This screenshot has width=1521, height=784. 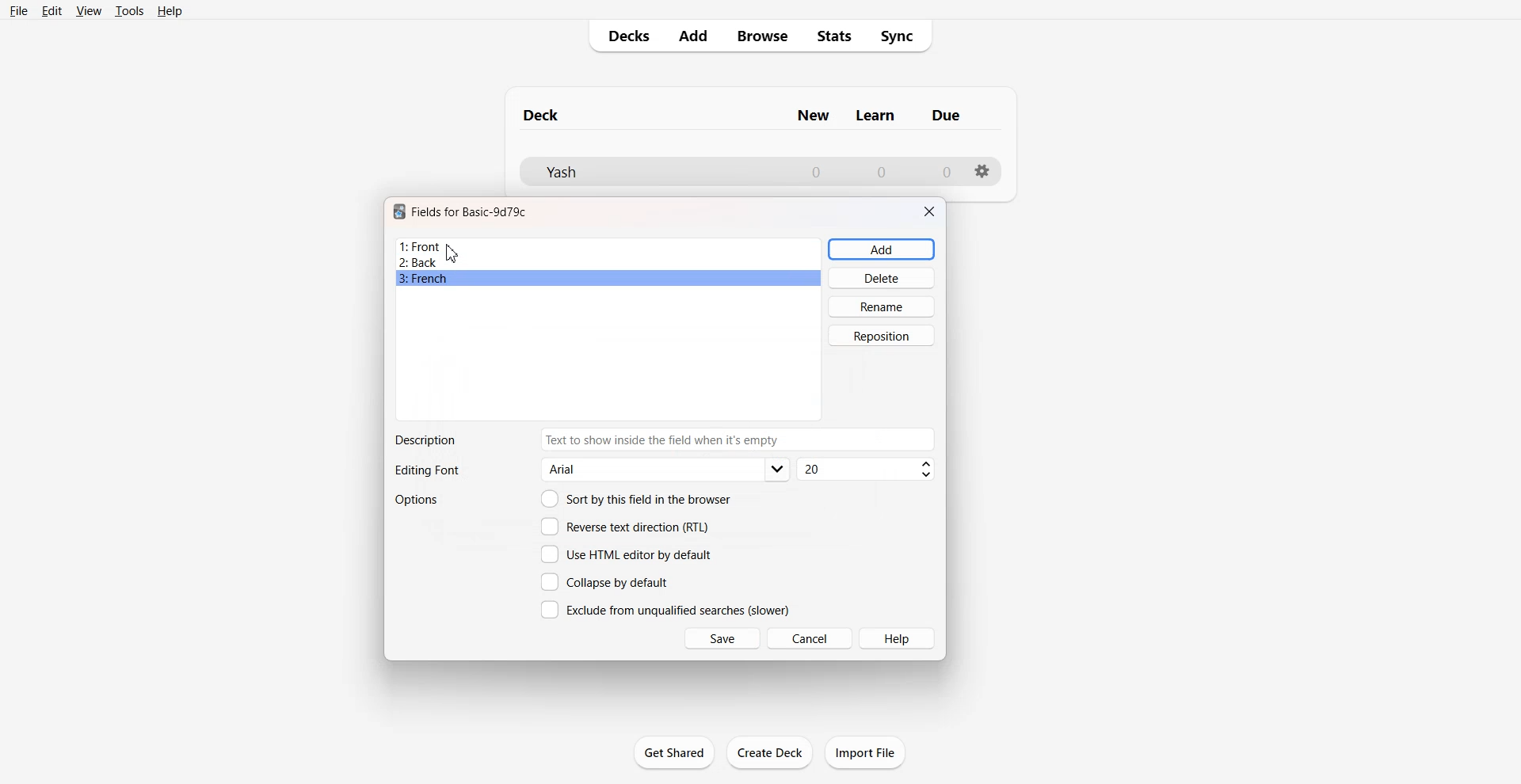 What do you see at coordinates (470, 211) in the screenshot?
I see `Text 1` at bounding box center [470, 211].